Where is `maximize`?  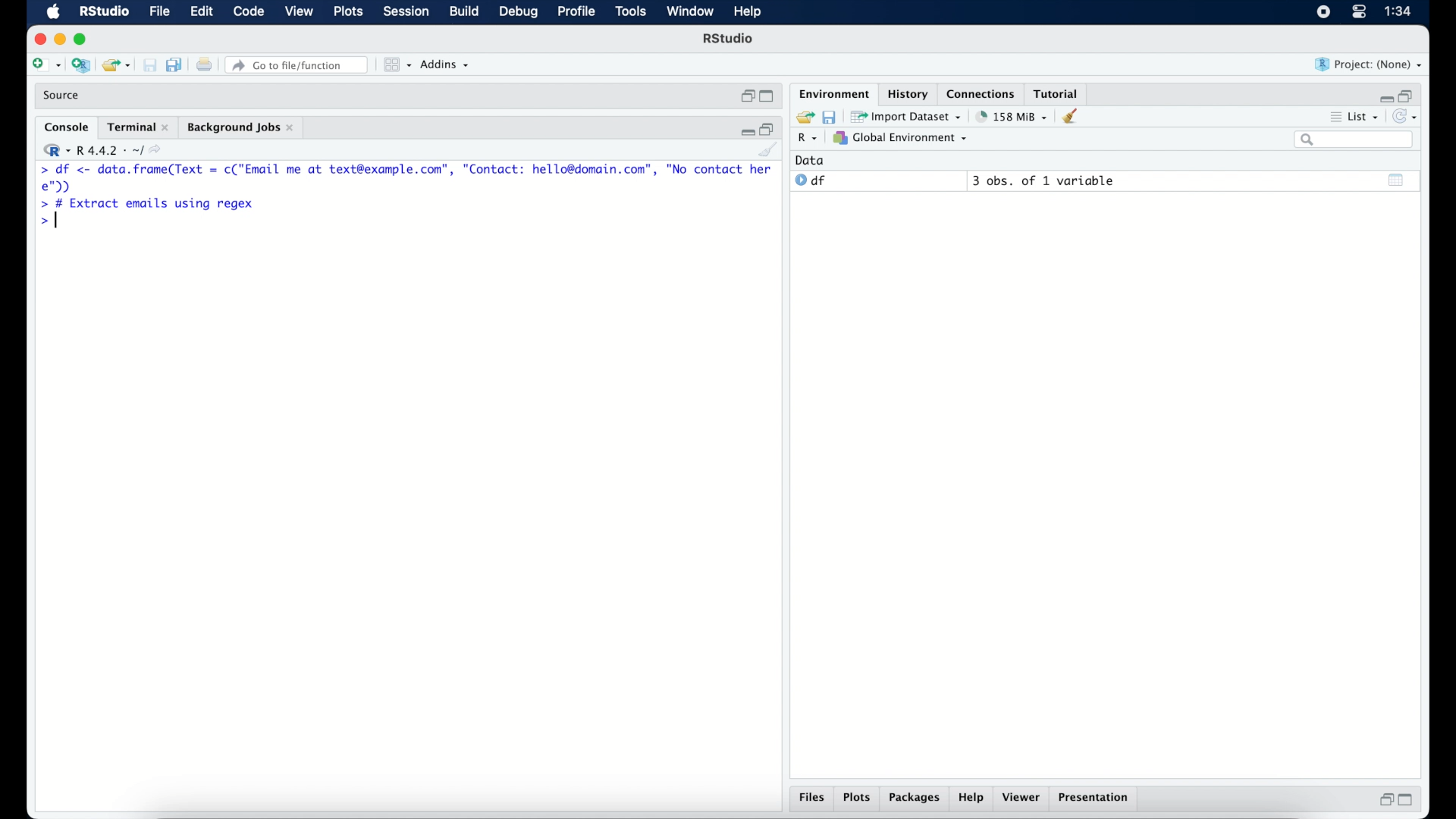
maximize is located at coordinates (1407, 801).